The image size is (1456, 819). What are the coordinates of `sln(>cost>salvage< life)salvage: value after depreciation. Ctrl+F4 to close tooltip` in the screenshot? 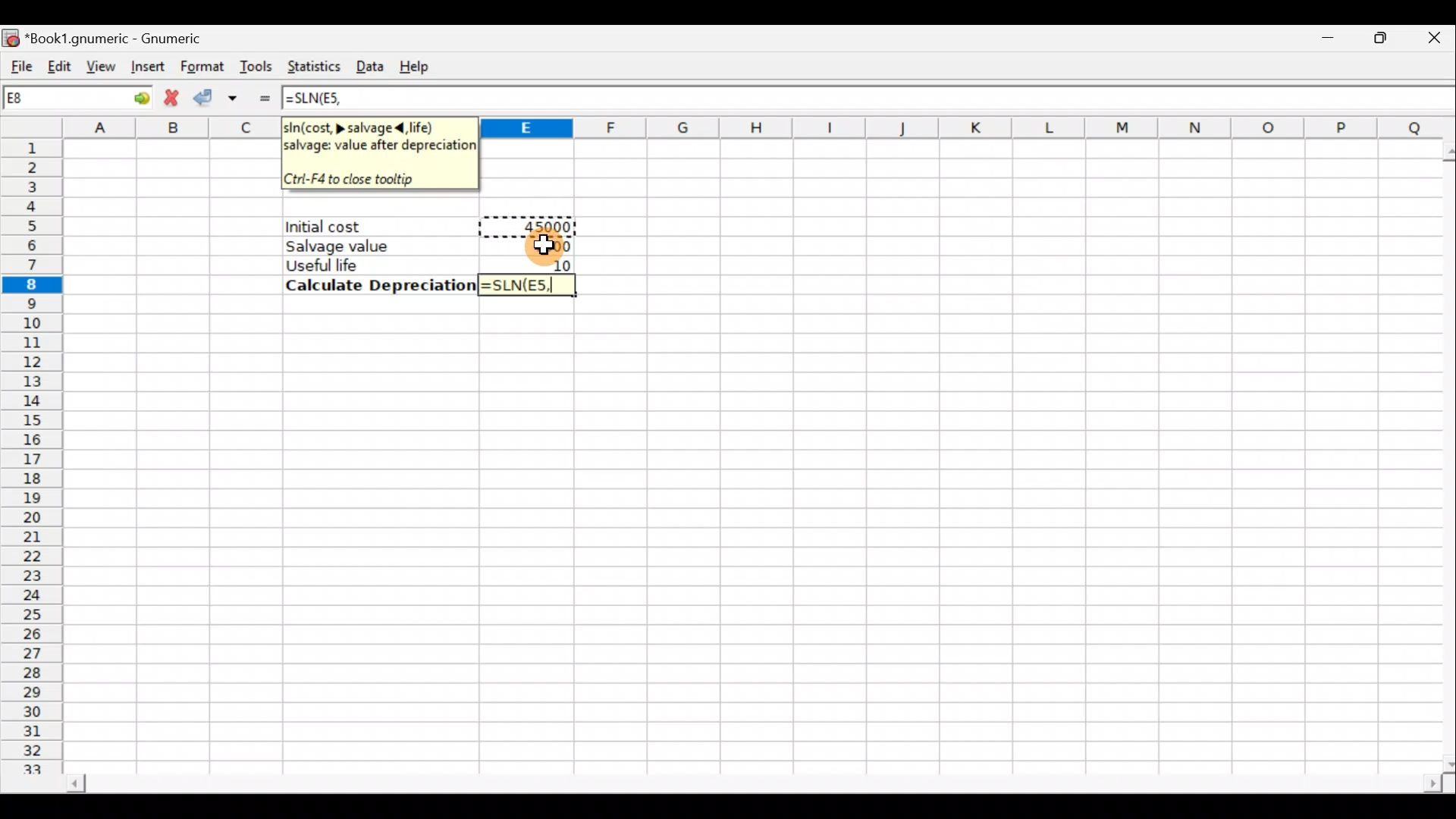 It's located at (378, 152).